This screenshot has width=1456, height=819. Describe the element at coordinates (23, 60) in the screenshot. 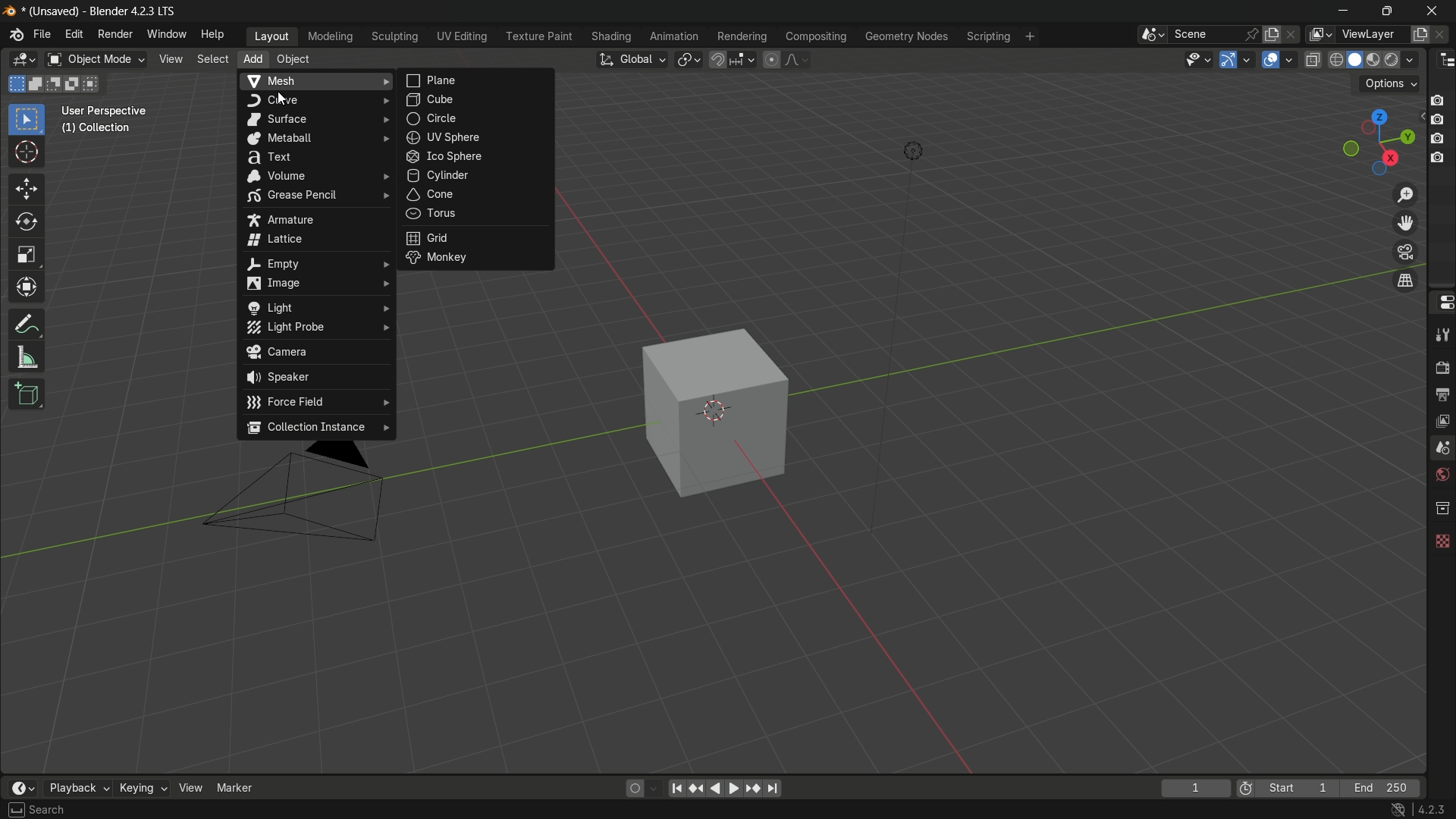

I see `3d viewport` at that location.